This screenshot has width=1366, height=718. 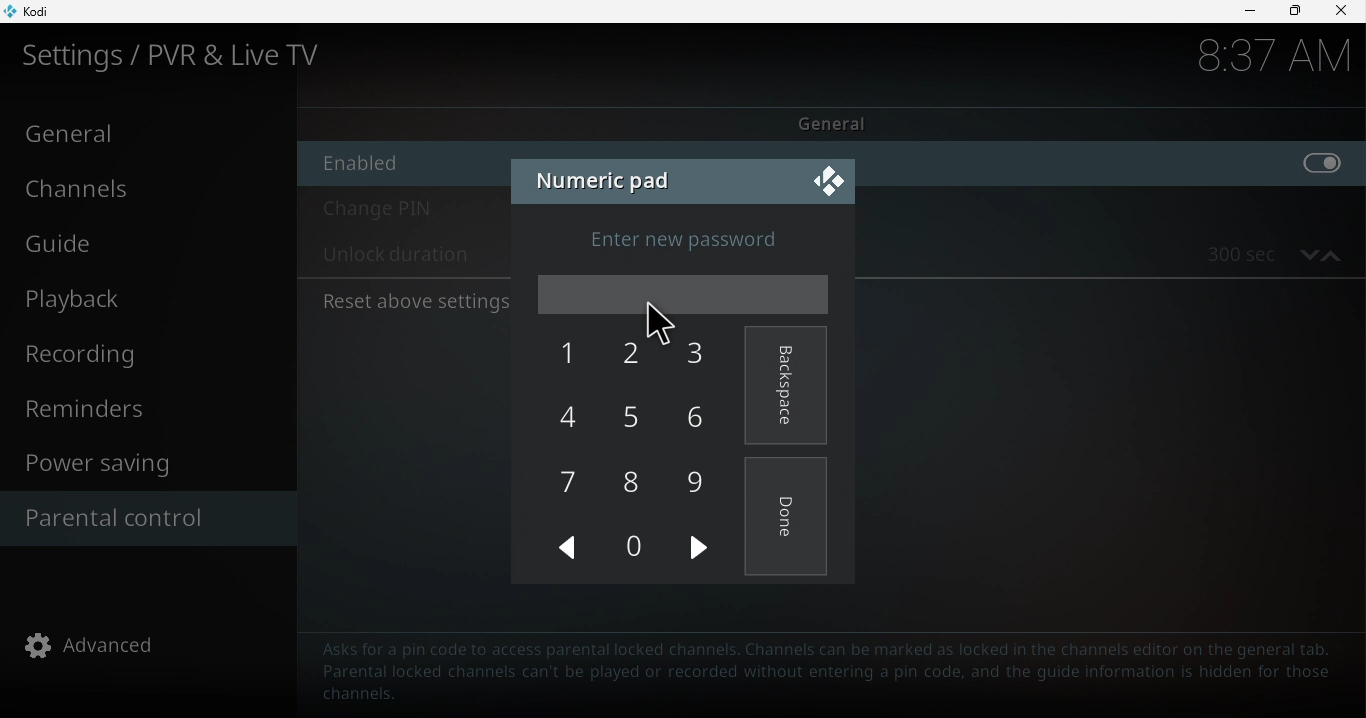 I want to click on Unlock duration, so click(x=395, y=257).